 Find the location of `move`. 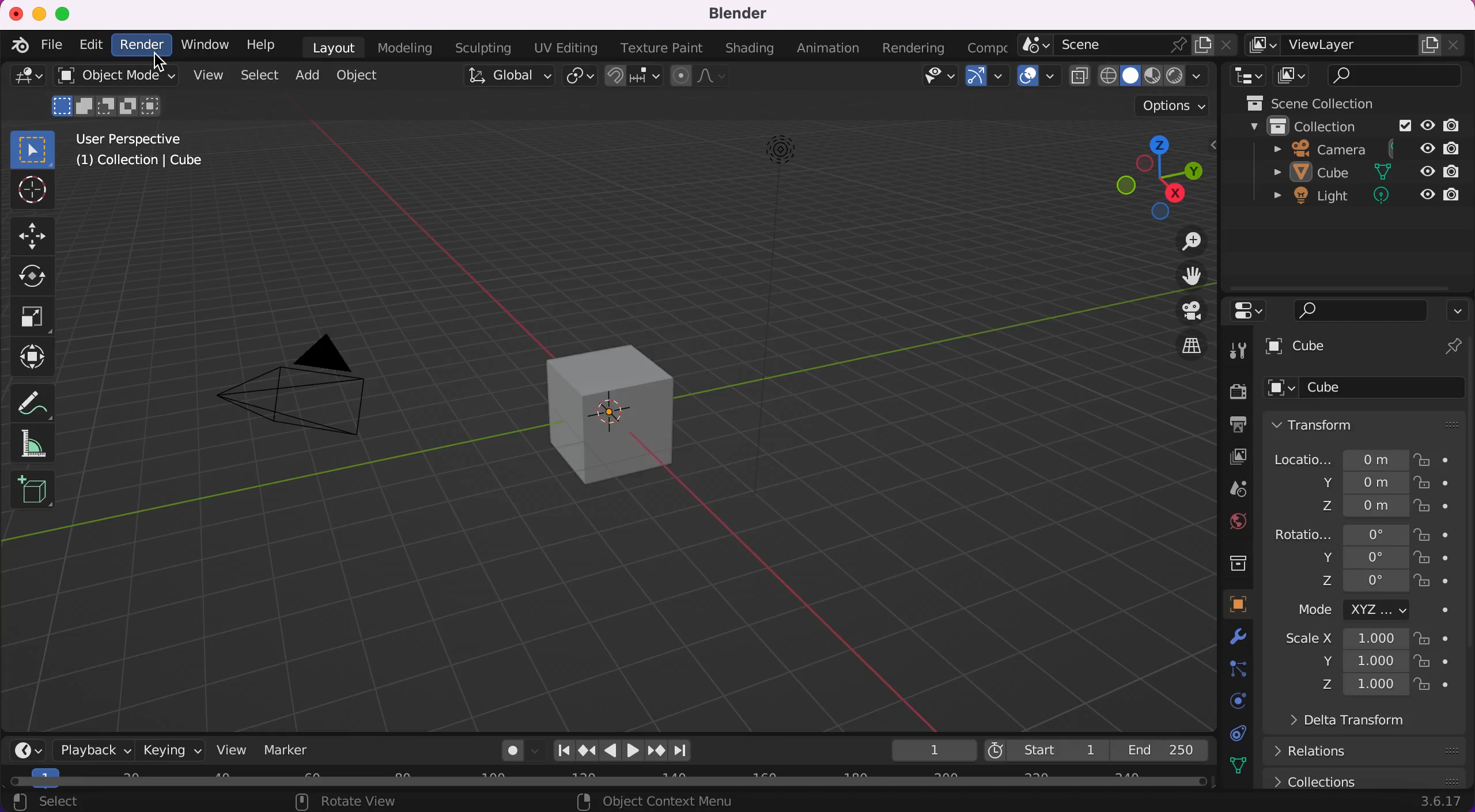

move is located at coordinates (39, 235).